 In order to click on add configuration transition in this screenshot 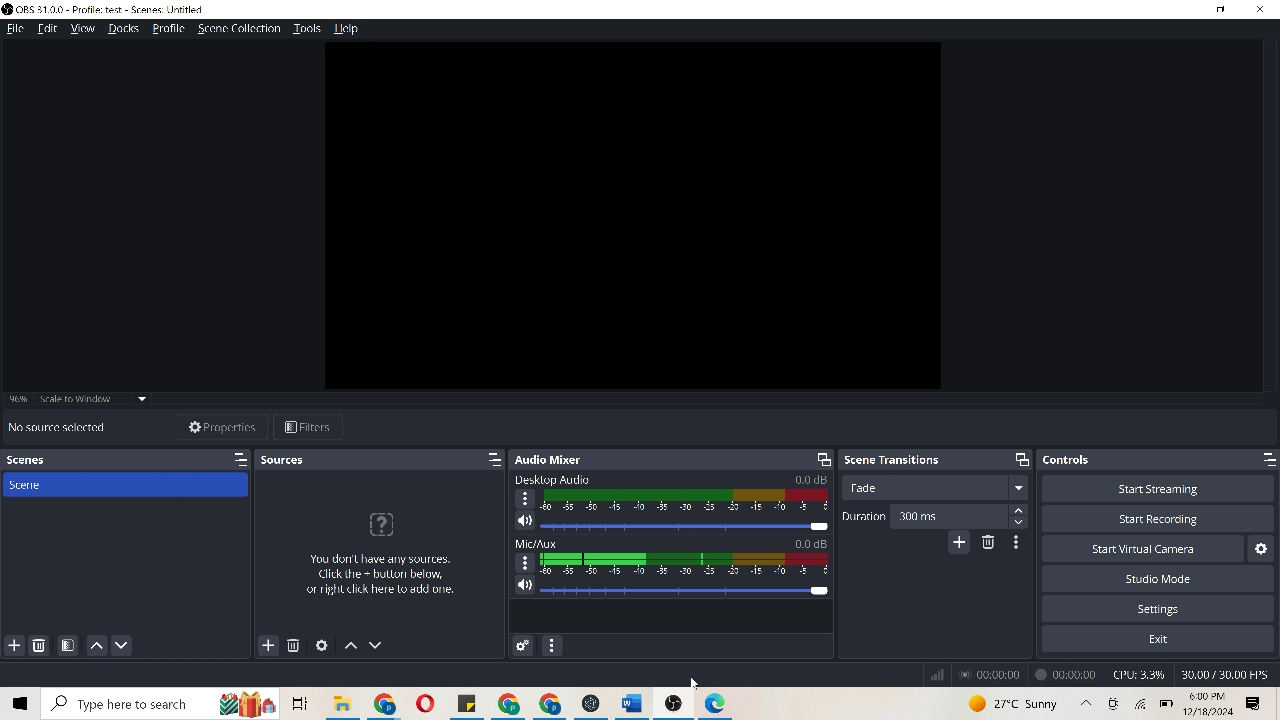, I will do `click(959, 545)`.